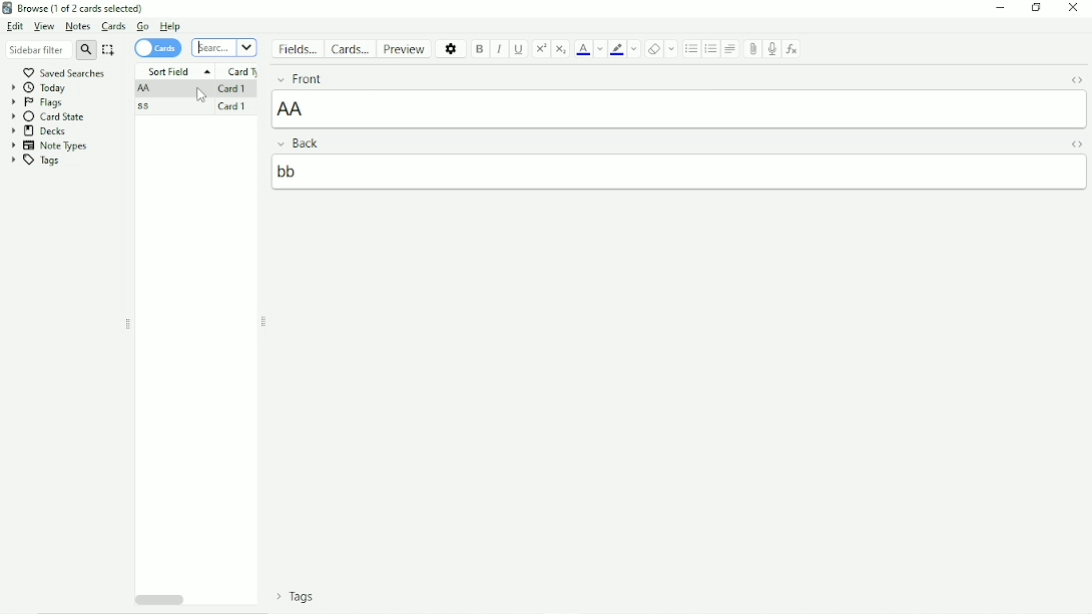 This screenshot has width=1092, height=614. What do you see at coordinates (692, 49) in the screenshot?
I see `Unordered list` at bounding box center [692, 49].